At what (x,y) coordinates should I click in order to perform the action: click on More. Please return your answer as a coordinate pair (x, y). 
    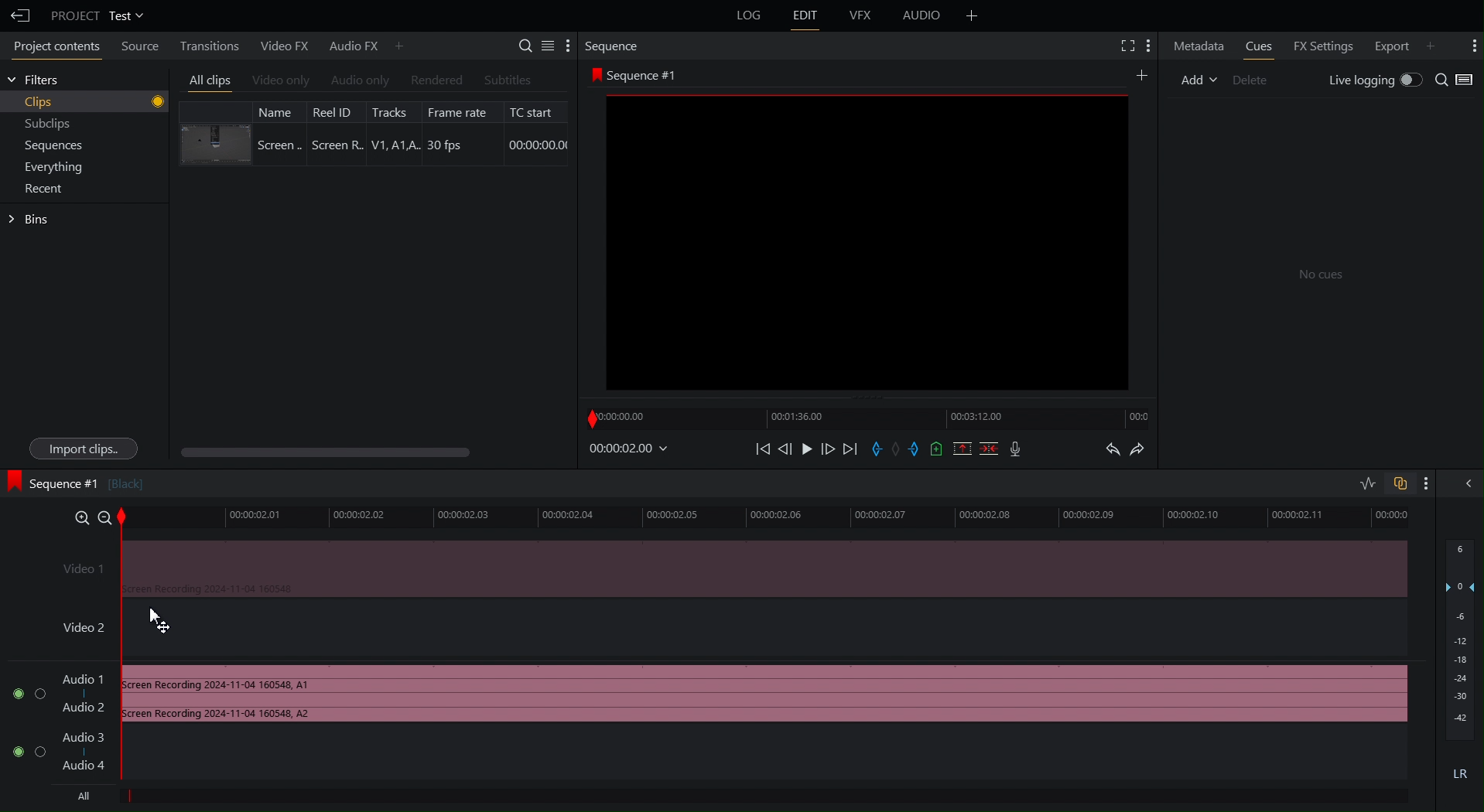
    Looking at the image, I should click on (1470, 46).